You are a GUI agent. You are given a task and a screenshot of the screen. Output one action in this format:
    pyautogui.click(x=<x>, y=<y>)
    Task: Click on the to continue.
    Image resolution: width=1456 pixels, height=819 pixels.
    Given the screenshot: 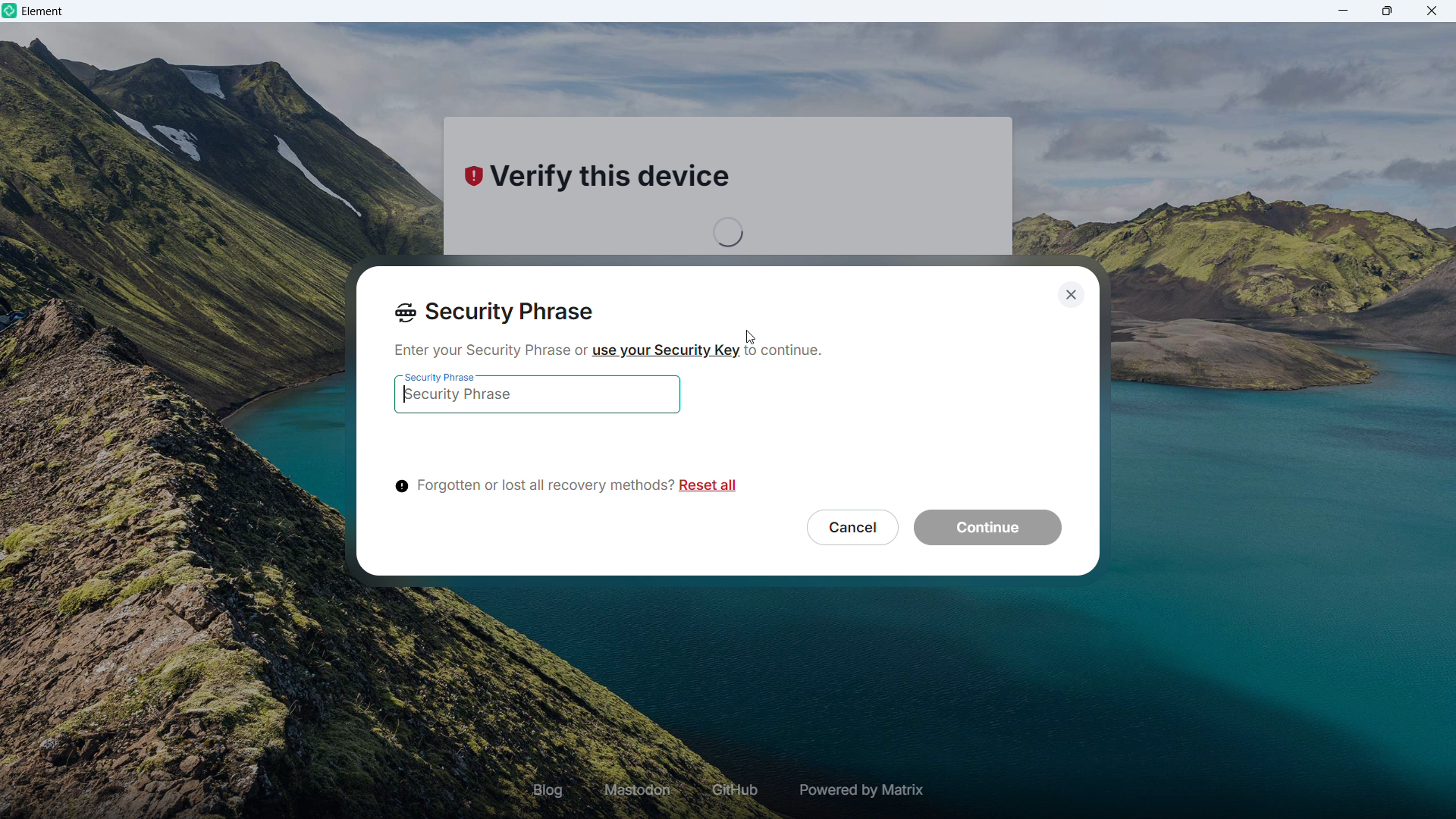 What is the action you would take?
    pyautogui.click(x=790, y=355)
    